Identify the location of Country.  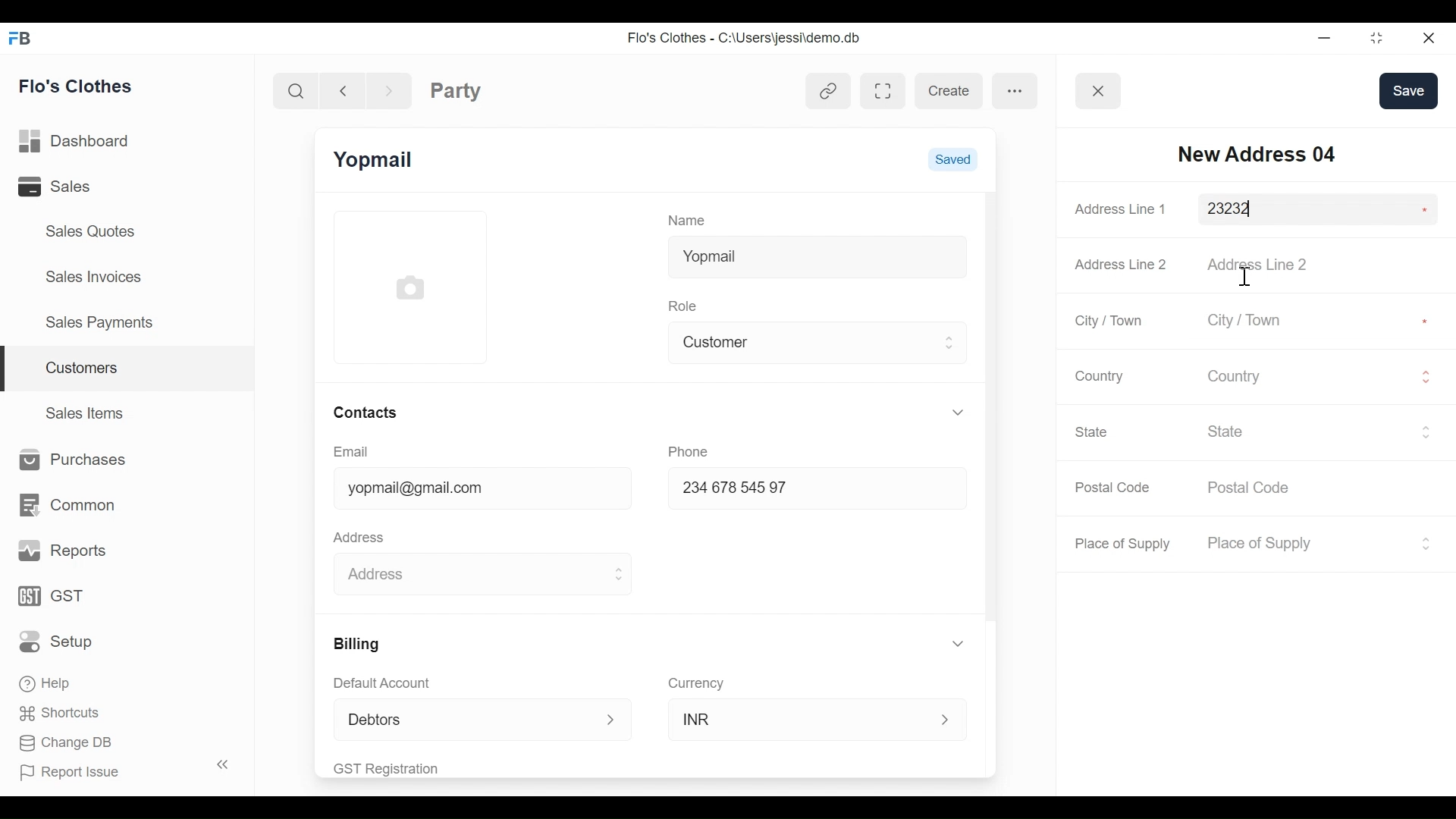
(1307, 375).